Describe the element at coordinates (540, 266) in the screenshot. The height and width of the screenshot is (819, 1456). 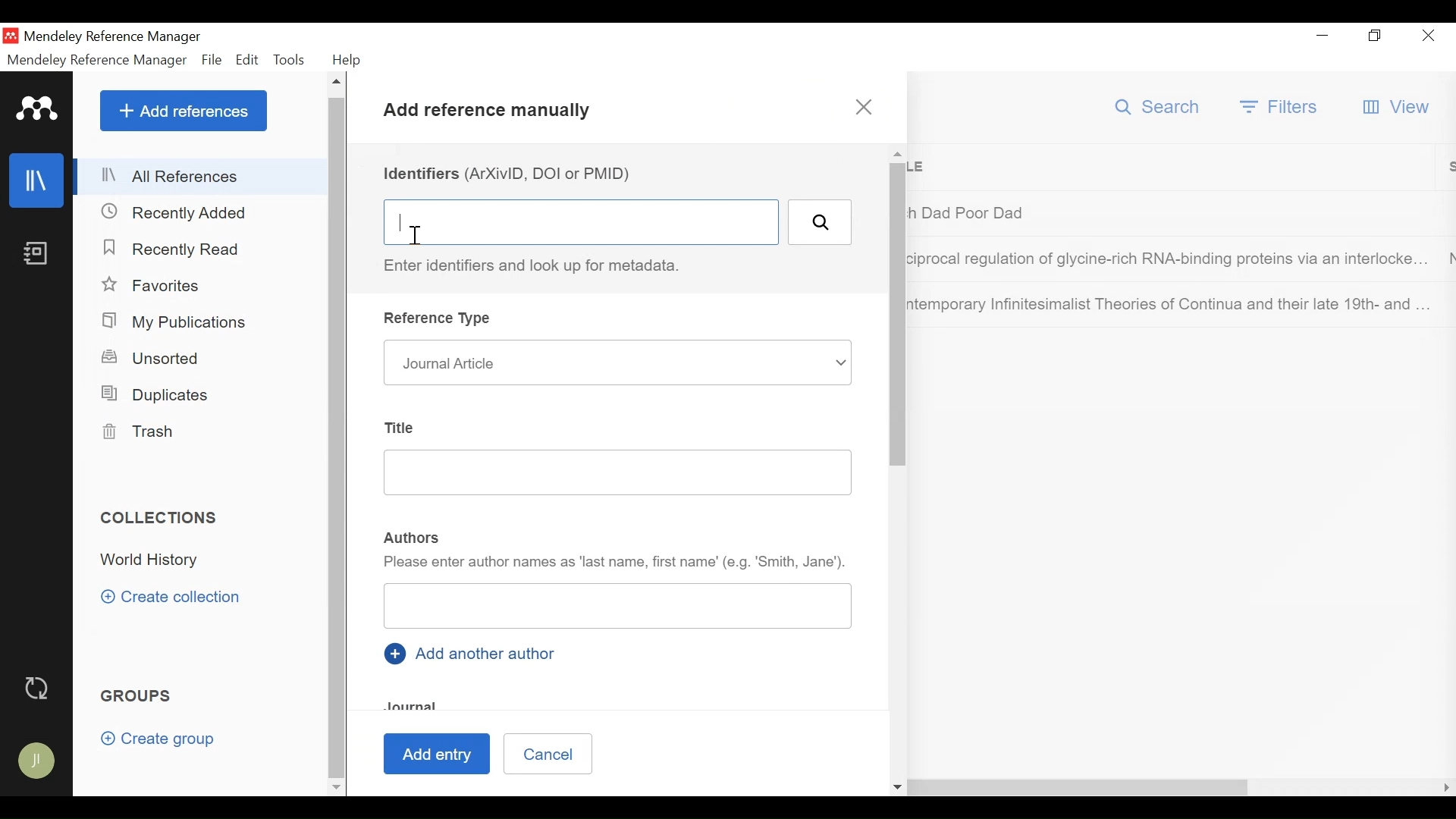
I see `Enter identifiers and look up metadata` at that location.